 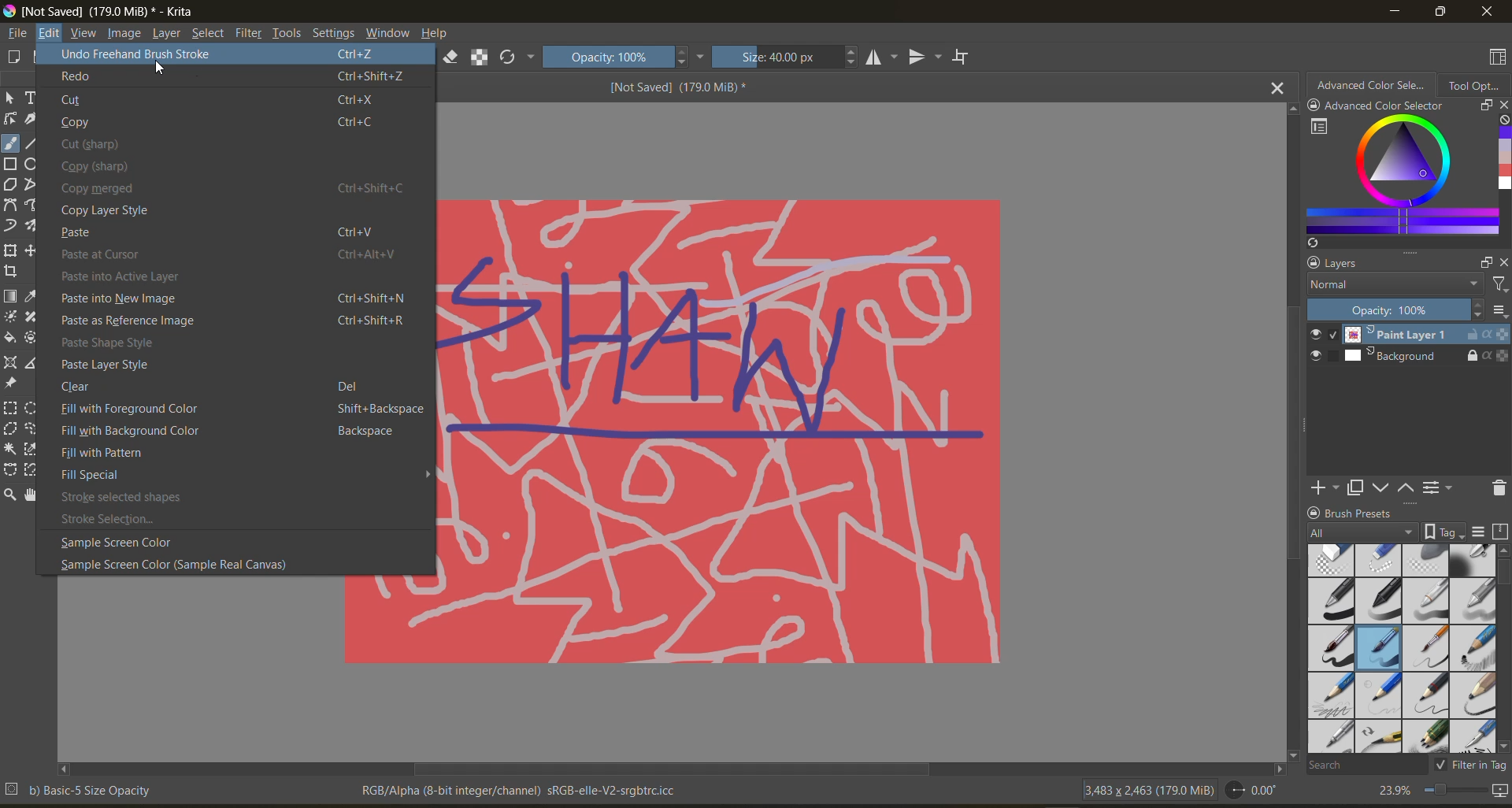 I want to click on Similar color selection tool, so click(x=35, y=449).